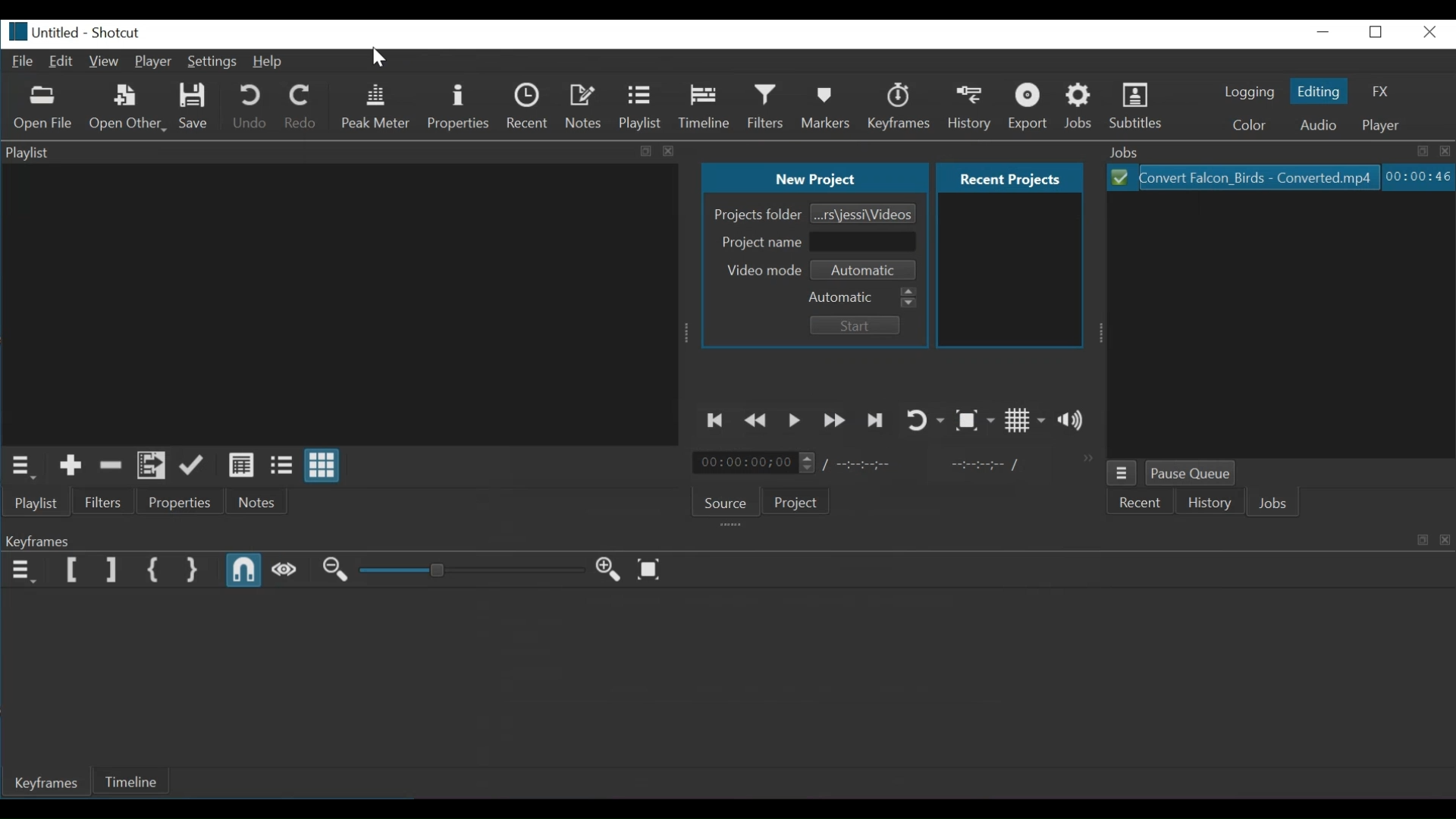 This screenshot has width=1456, height=819. What do you see at coordinates (461, 108) in the screenshot?
I see `Properties` at bounding box center [461, 108].